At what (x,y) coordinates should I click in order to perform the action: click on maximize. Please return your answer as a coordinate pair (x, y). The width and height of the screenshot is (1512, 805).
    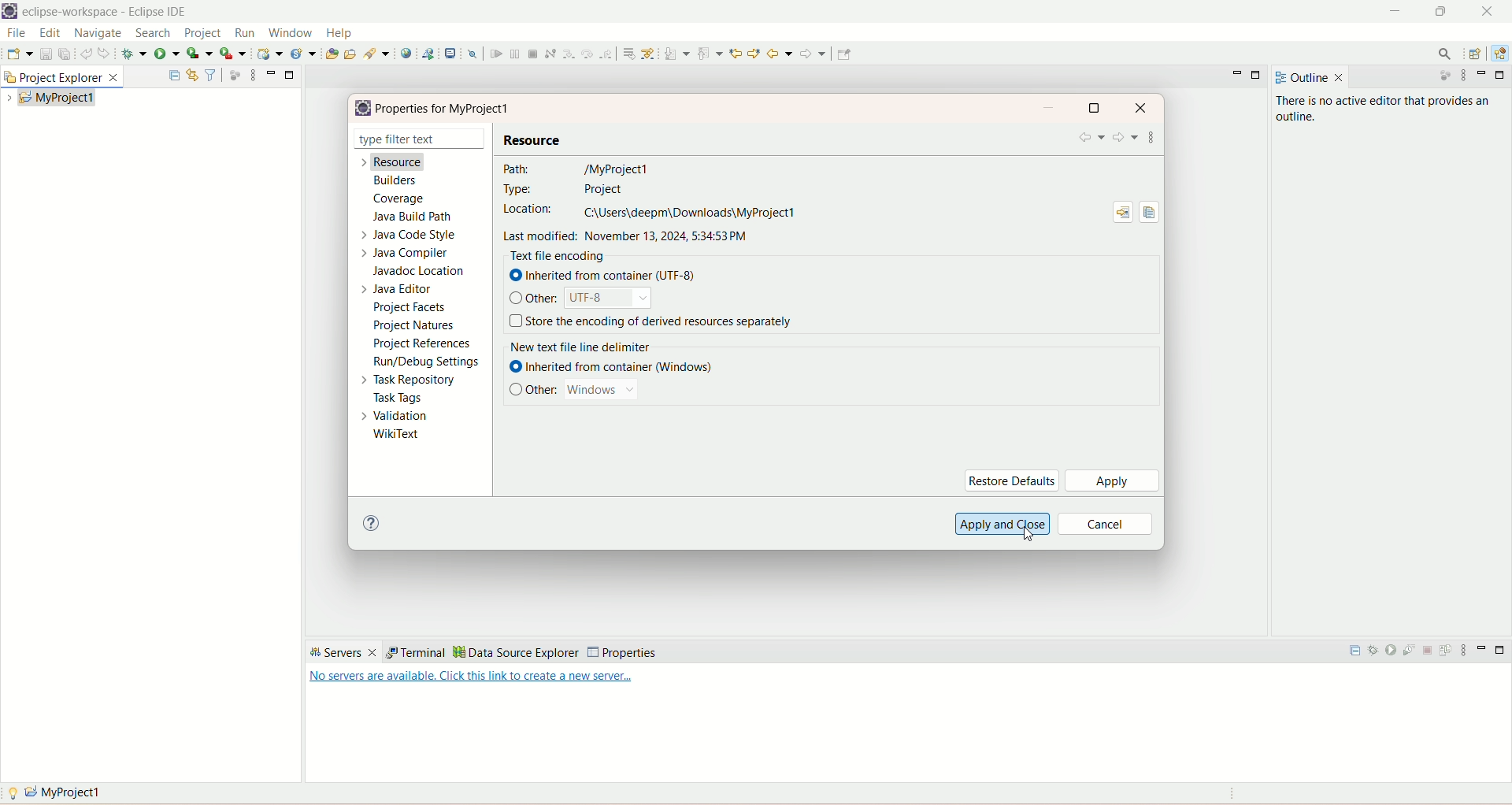
    Looking at the image, I should click on (1501, 652).